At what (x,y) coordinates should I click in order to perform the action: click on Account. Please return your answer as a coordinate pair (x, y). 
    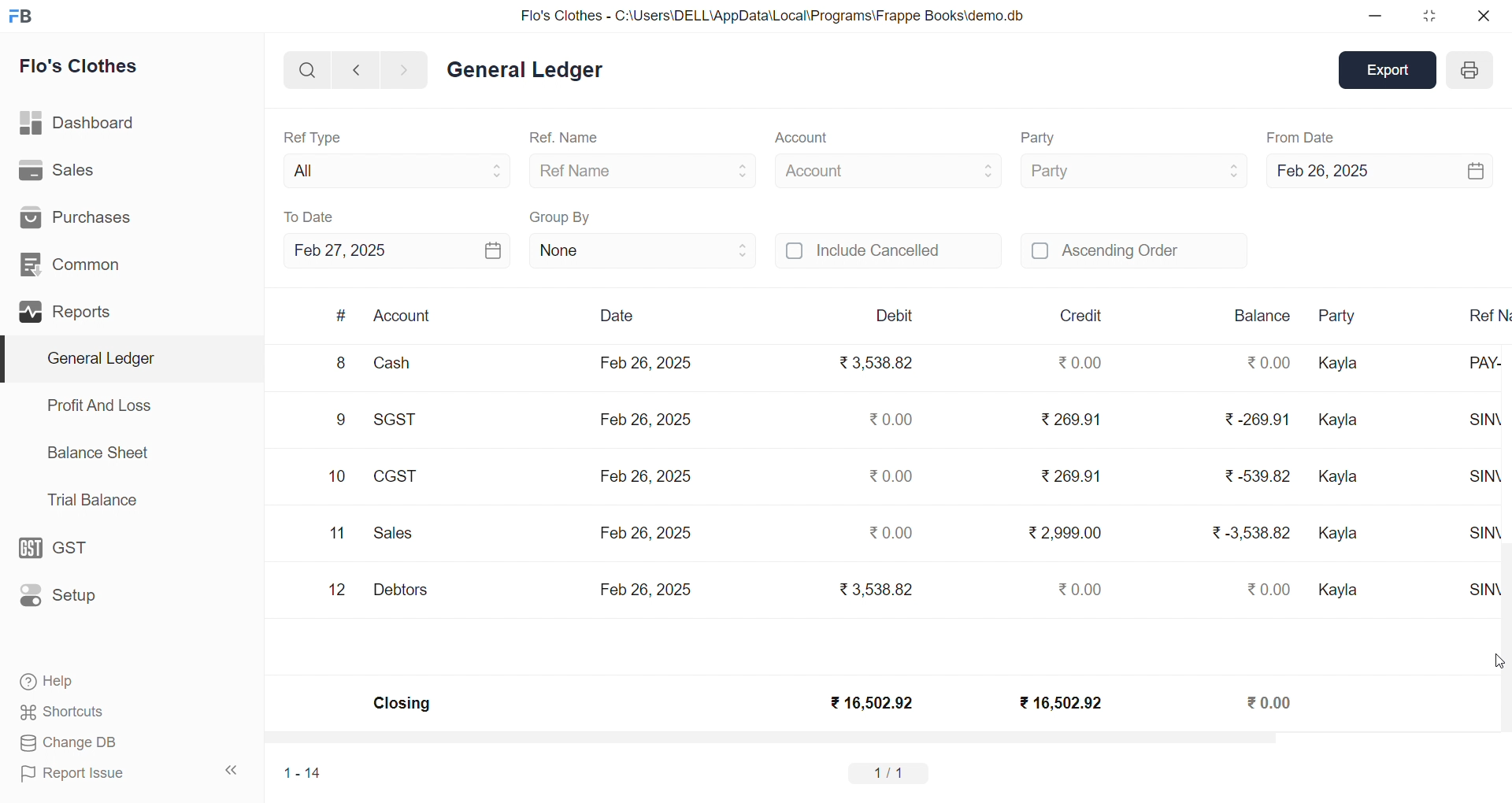
    Looking at the image, I should click on (888, 168).